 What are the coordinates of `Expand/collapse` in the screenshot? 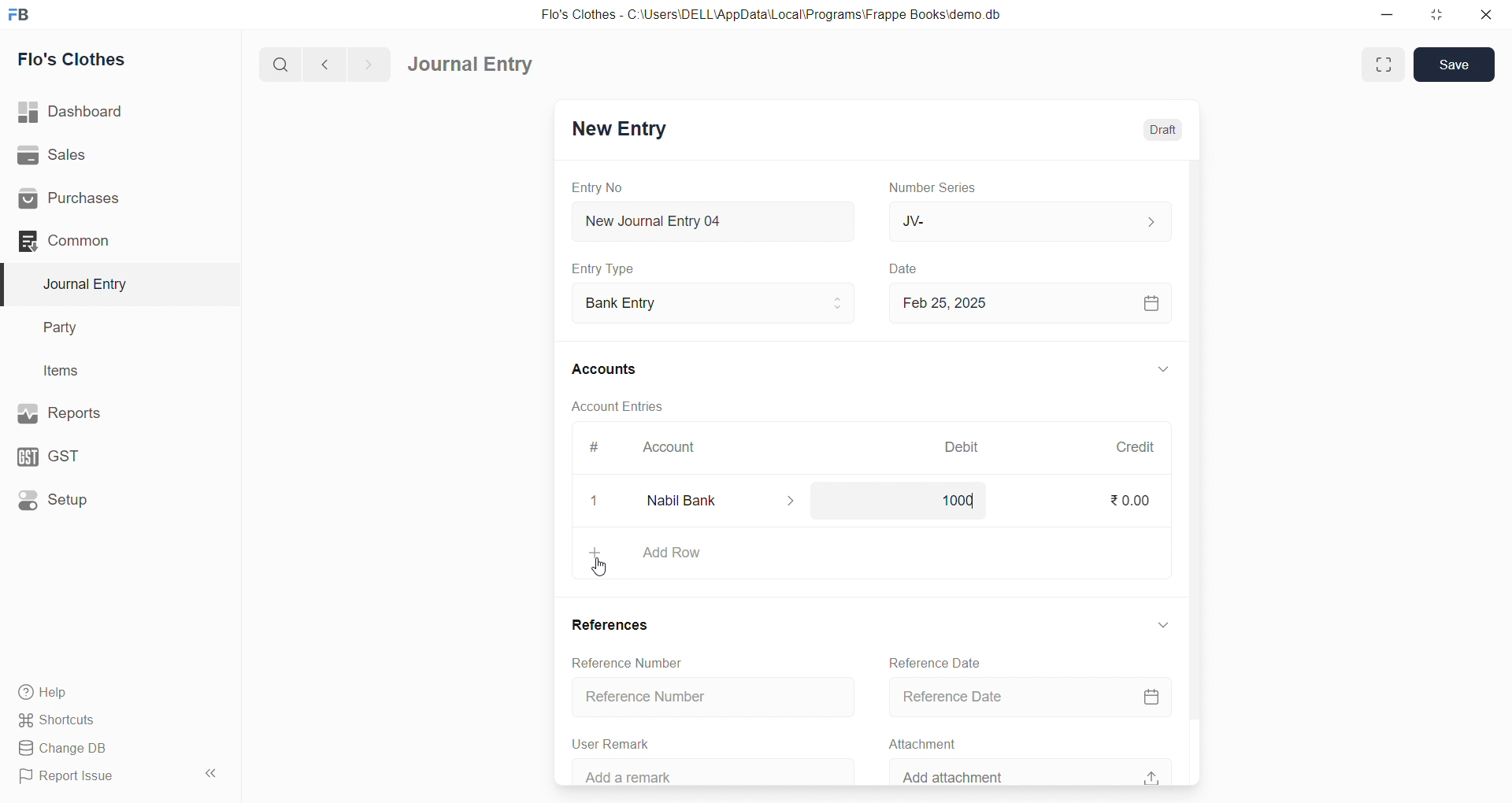 It's located at (1154, 624).